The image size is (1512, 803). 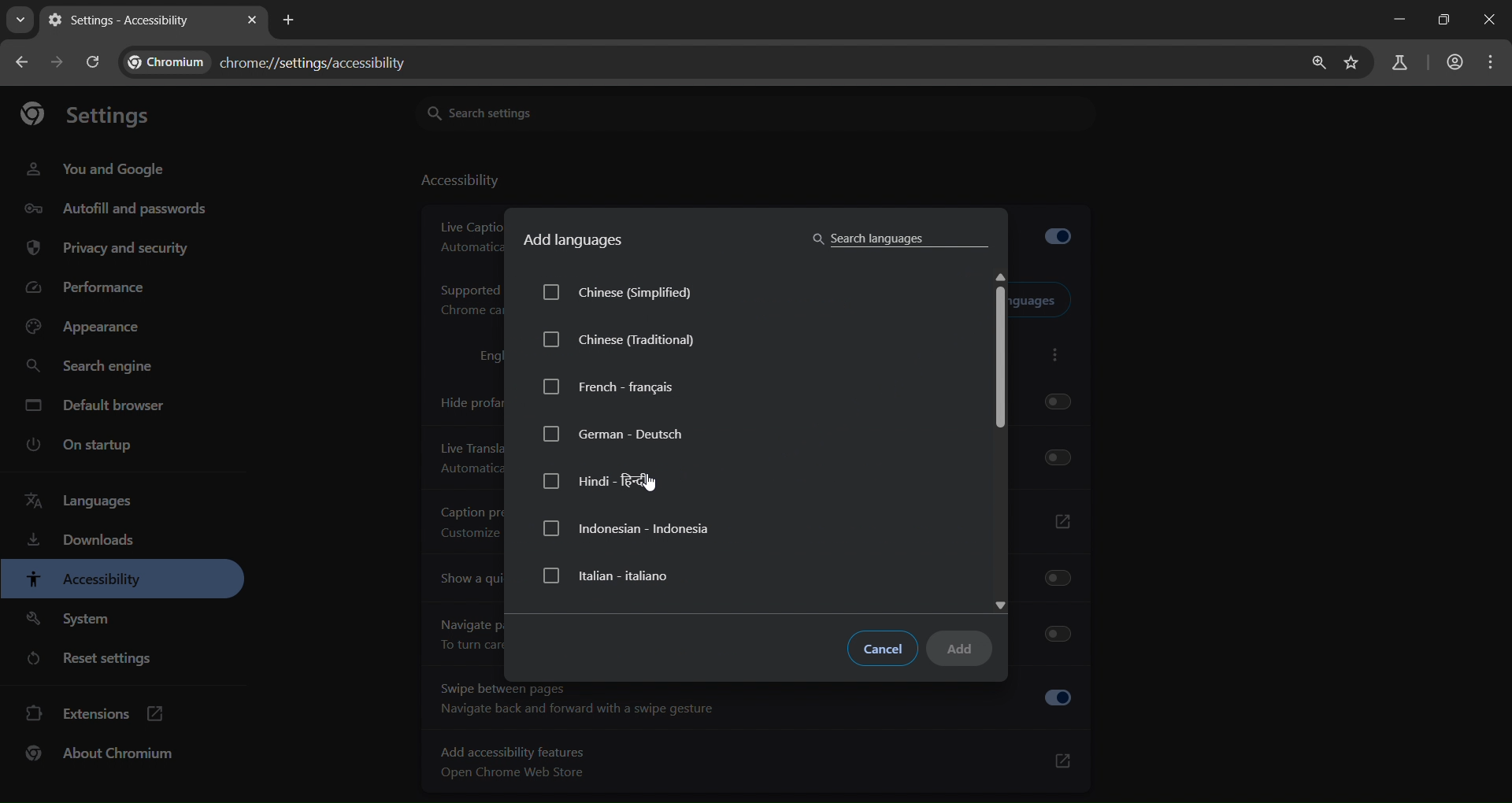 What do you see at coordinates (896, 238) in the screenshot?
I see `search  languages` at bounding box center [896, 238].